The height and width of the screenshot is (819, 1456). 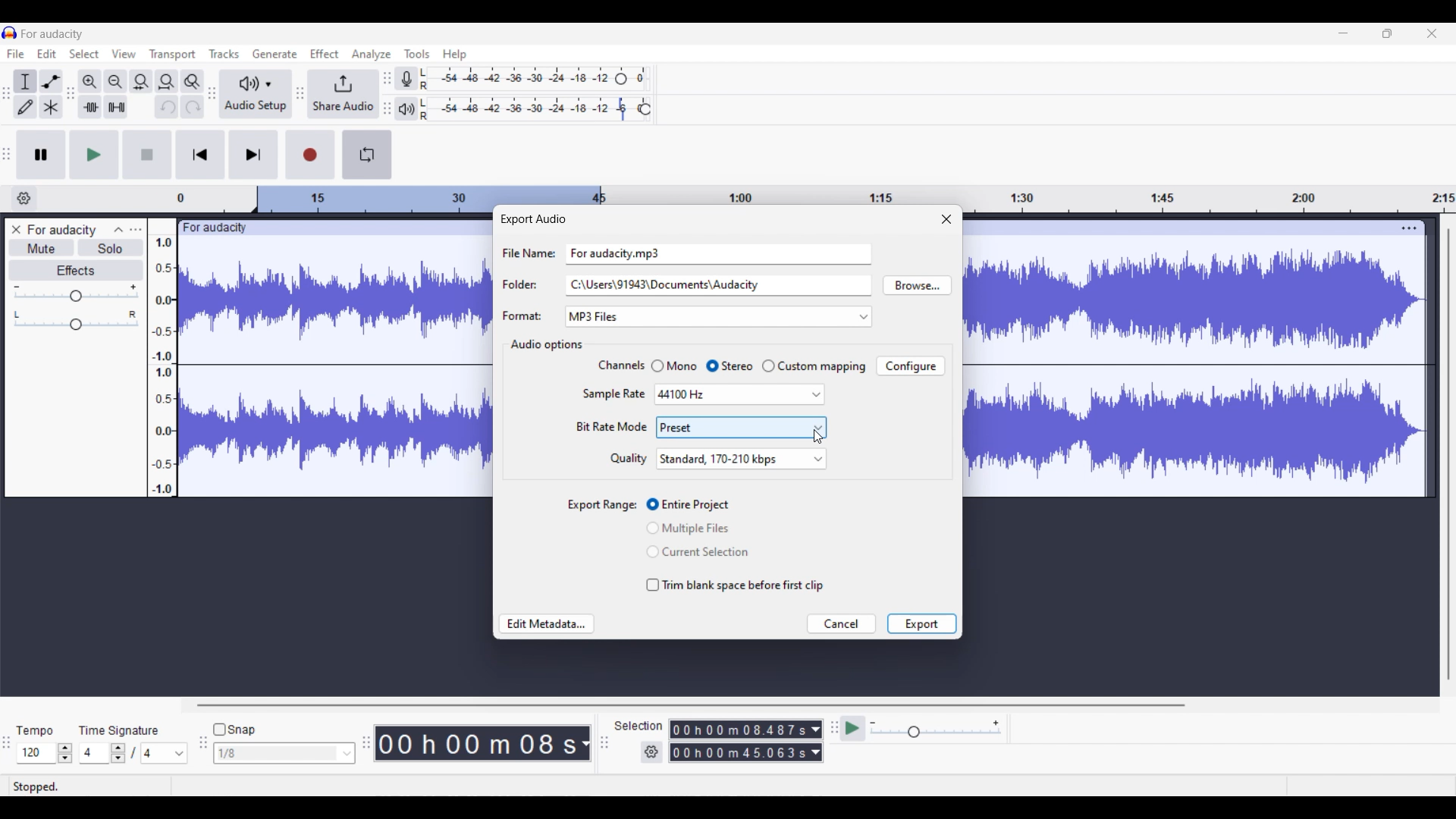 I want to click on Increase/Decrease tempo, so click(x=65, y=753).